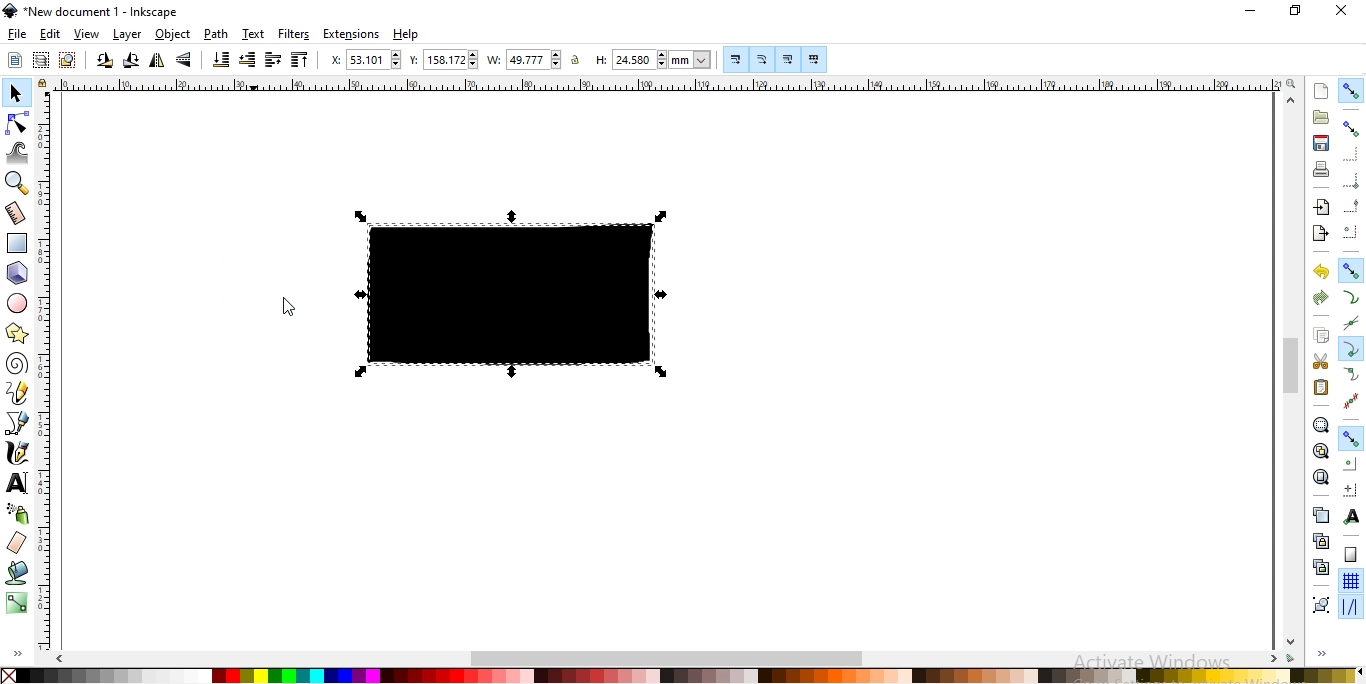  I want to click on snap text anchors and baselines, so click(1353, 517).